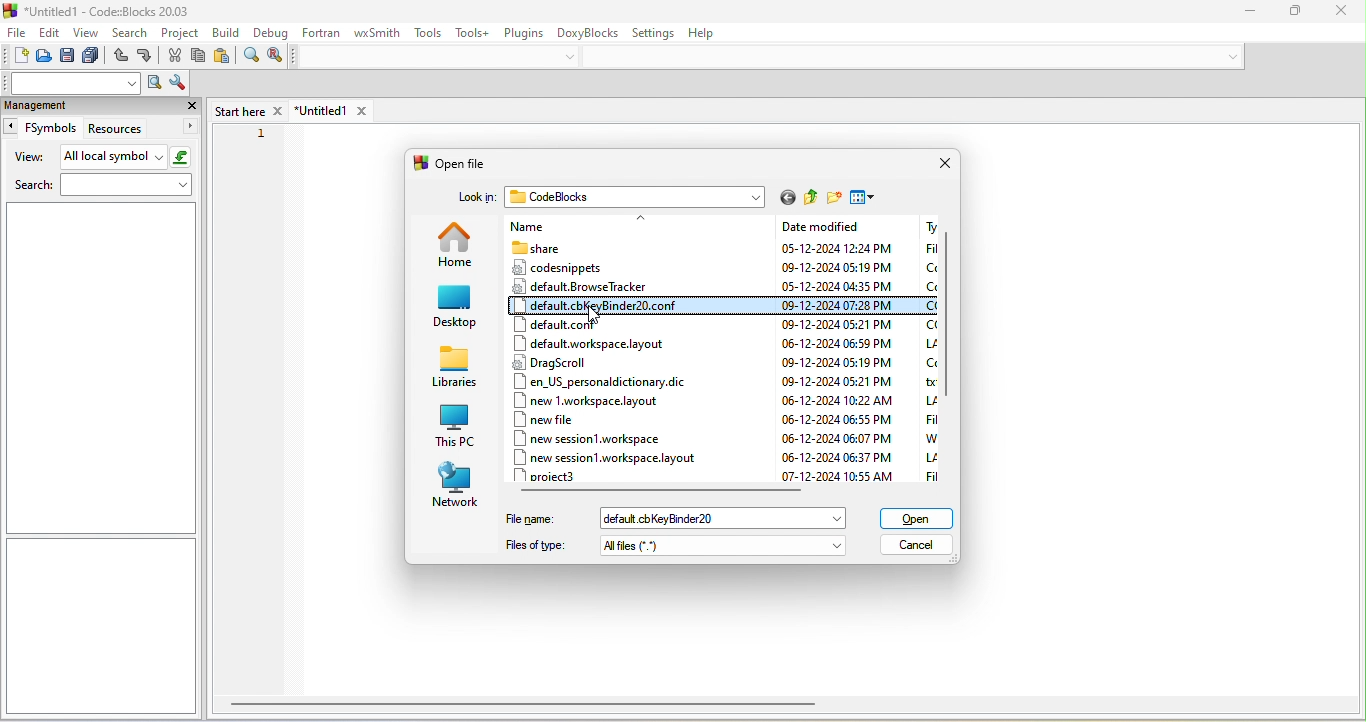 The image size is (1366, 722). Describe the element at coordinates (947, 162) in the screenshot. I see `close` at that location.